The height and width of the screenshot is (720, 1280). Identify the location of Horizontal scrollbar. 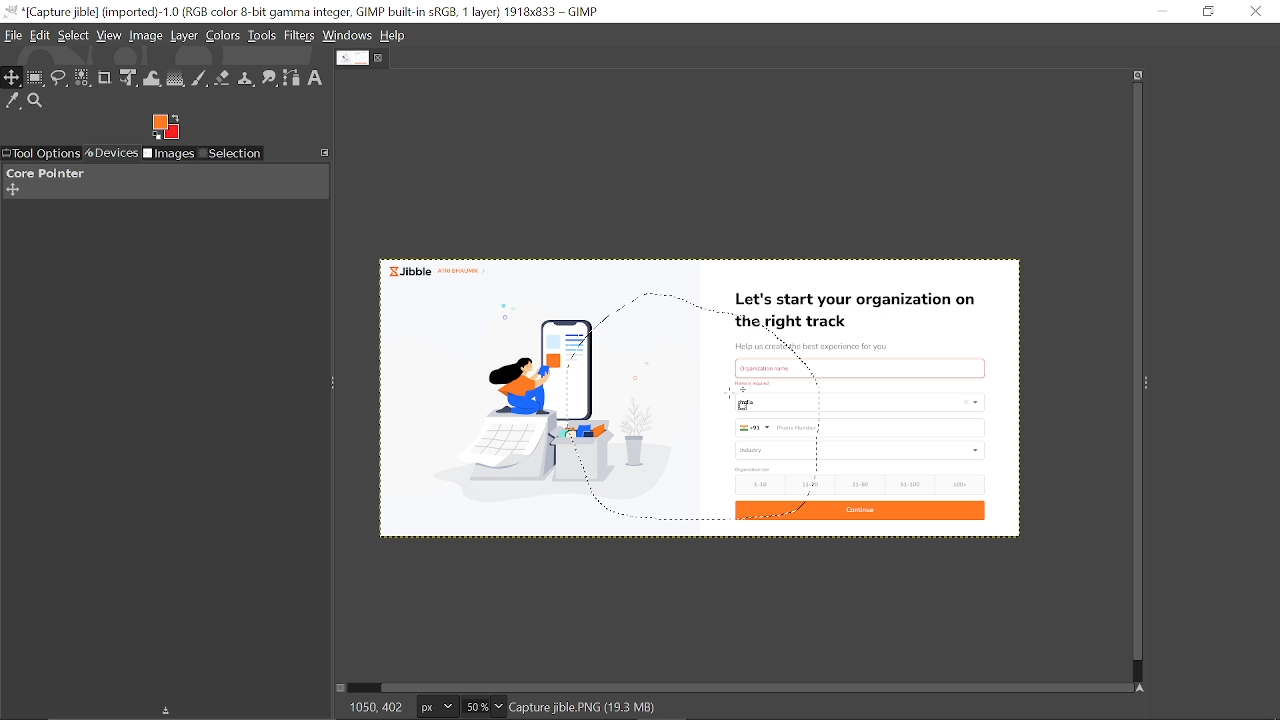
(758, 687).